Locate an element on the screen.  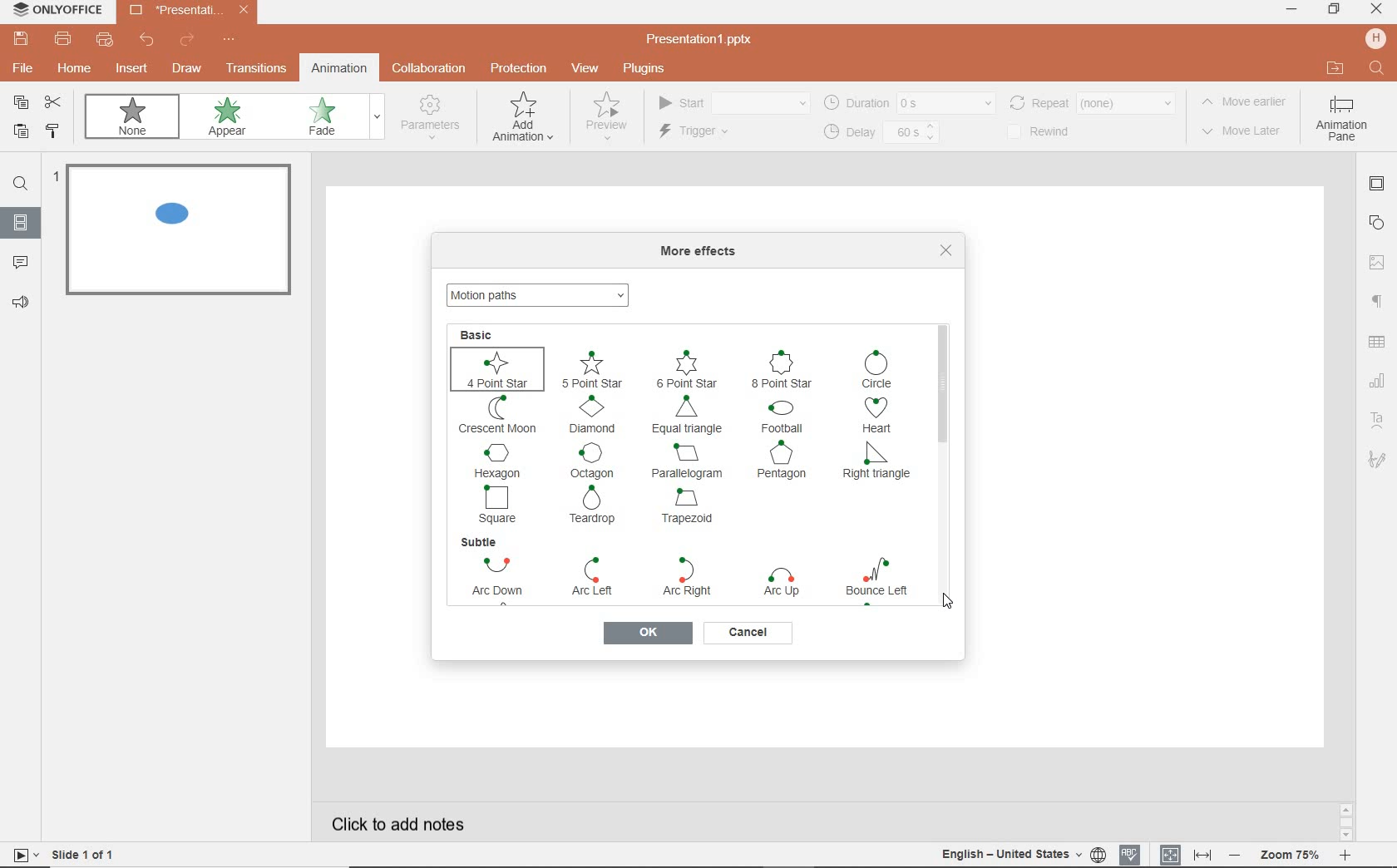
cut is located at coordinates (57, 103).